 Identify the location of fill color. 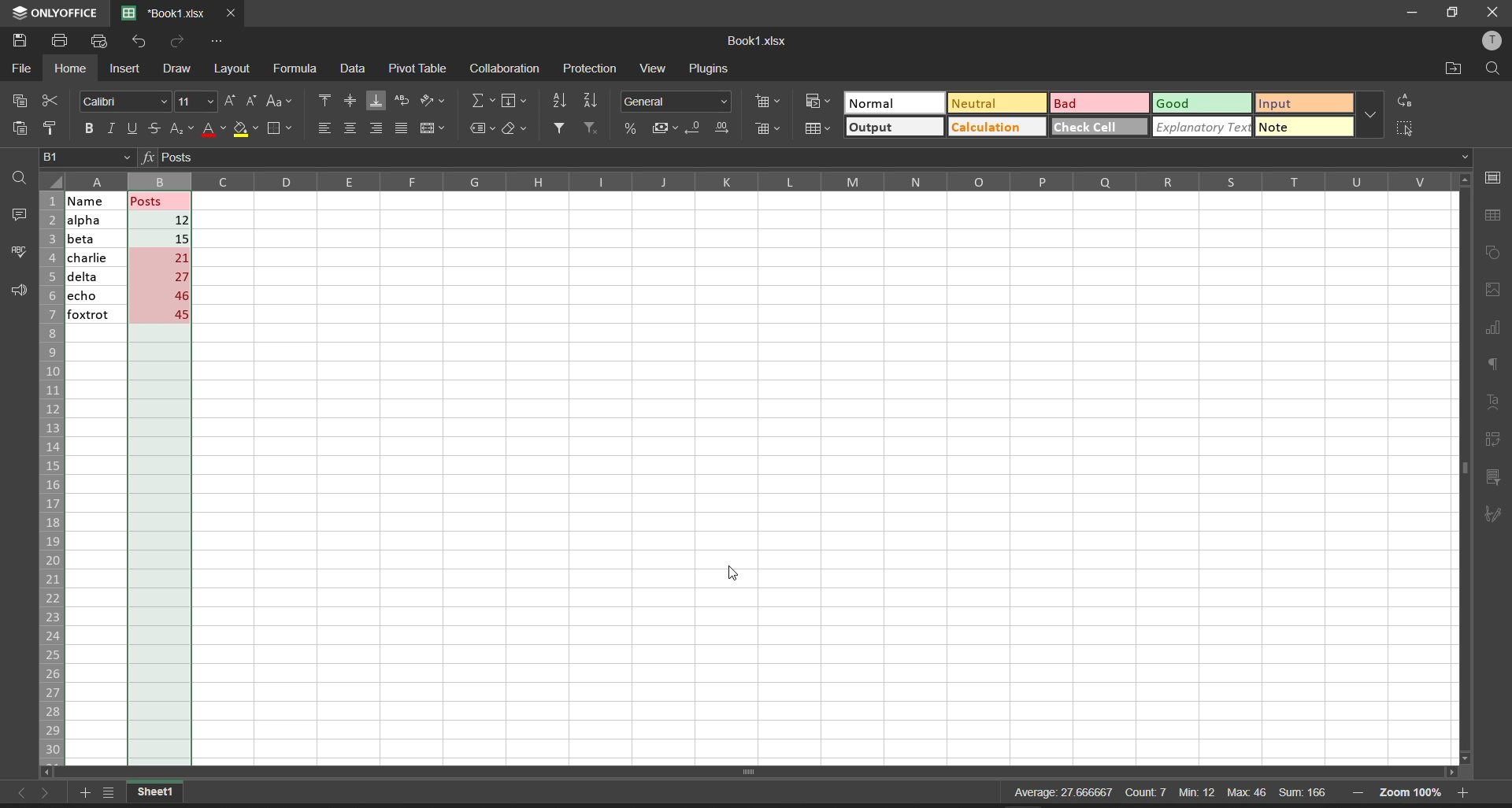
(246, 131).